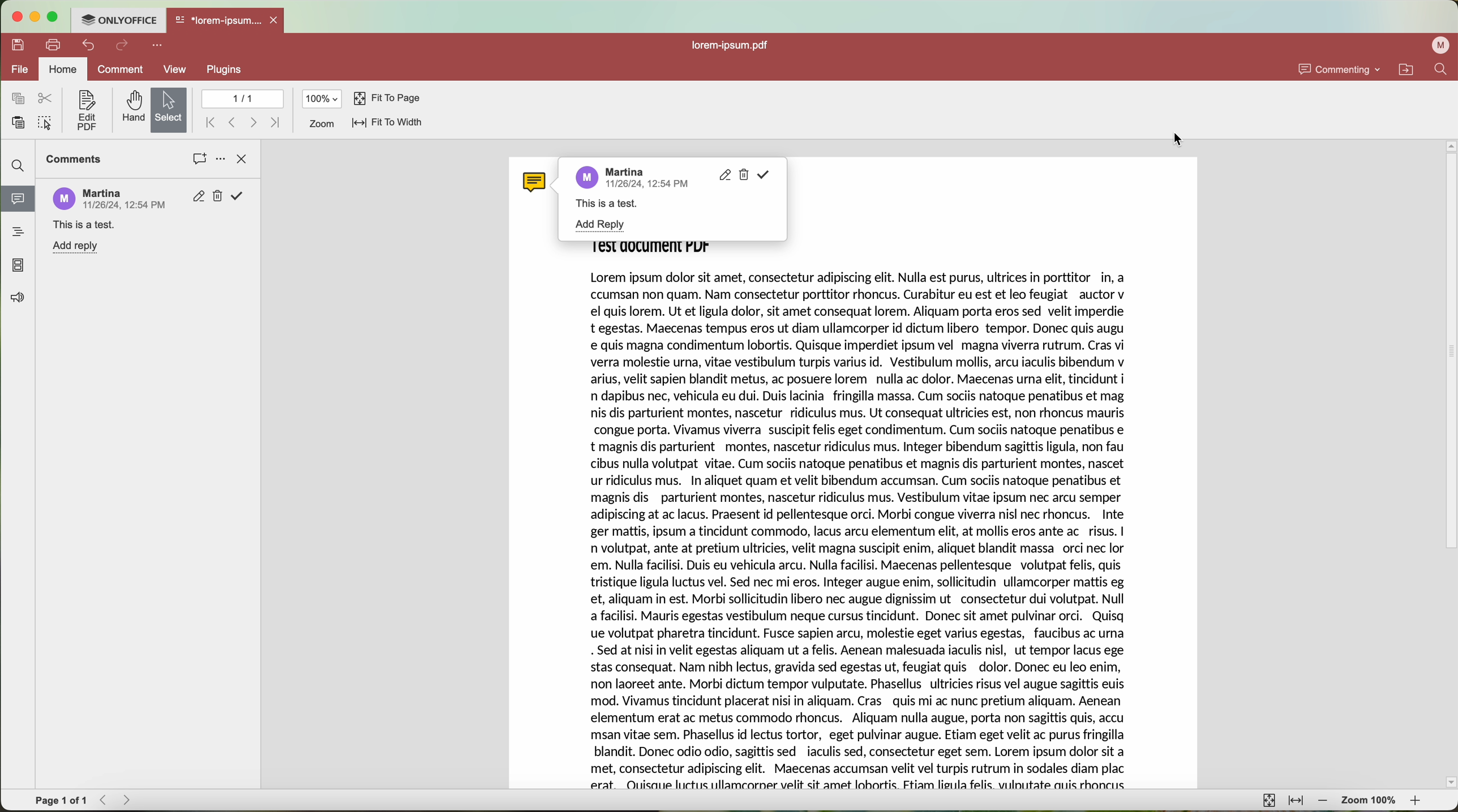  I want to click on zoom out, so click(1324, 802).